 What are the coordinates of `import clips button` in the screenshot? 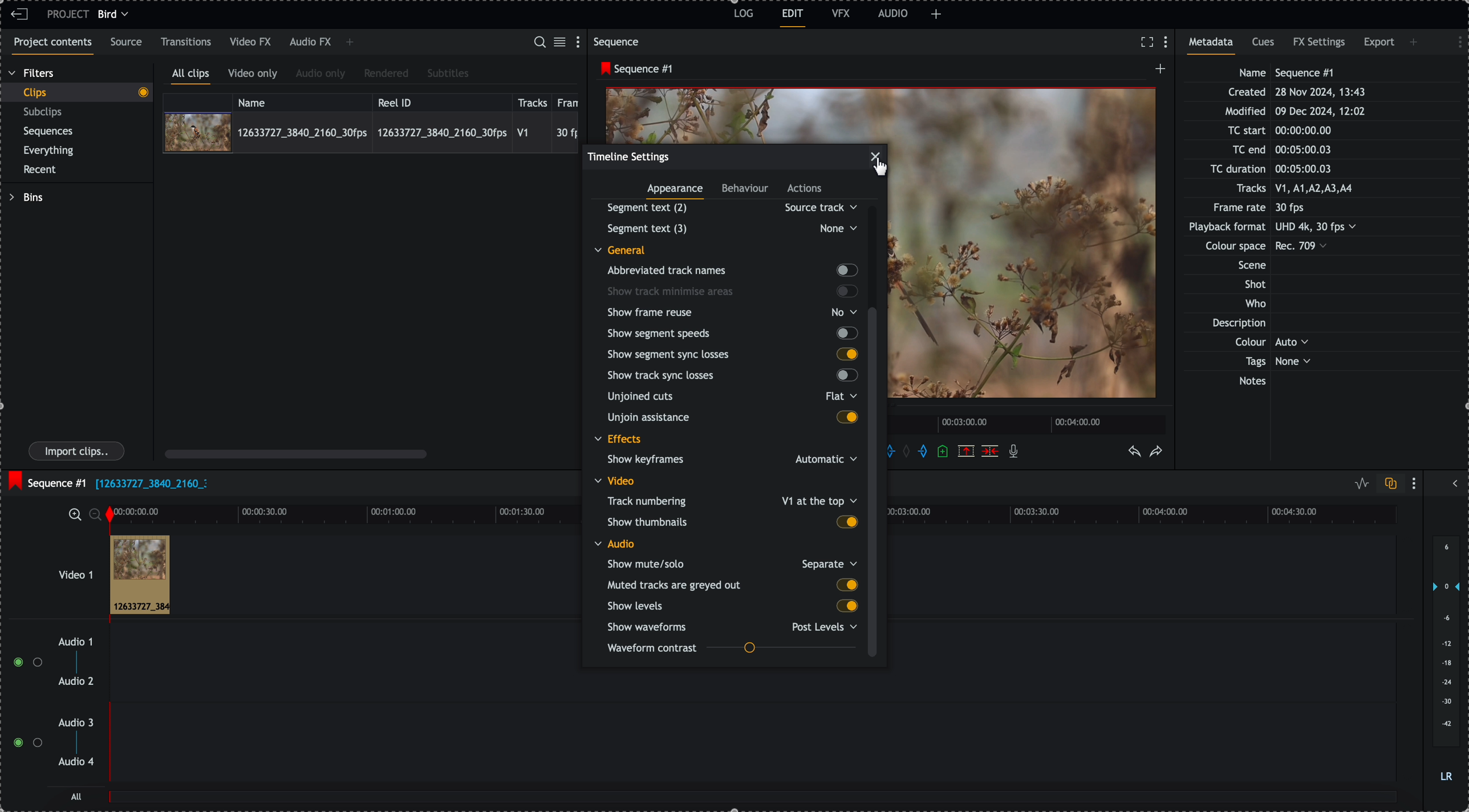 It's located at (78, 452).